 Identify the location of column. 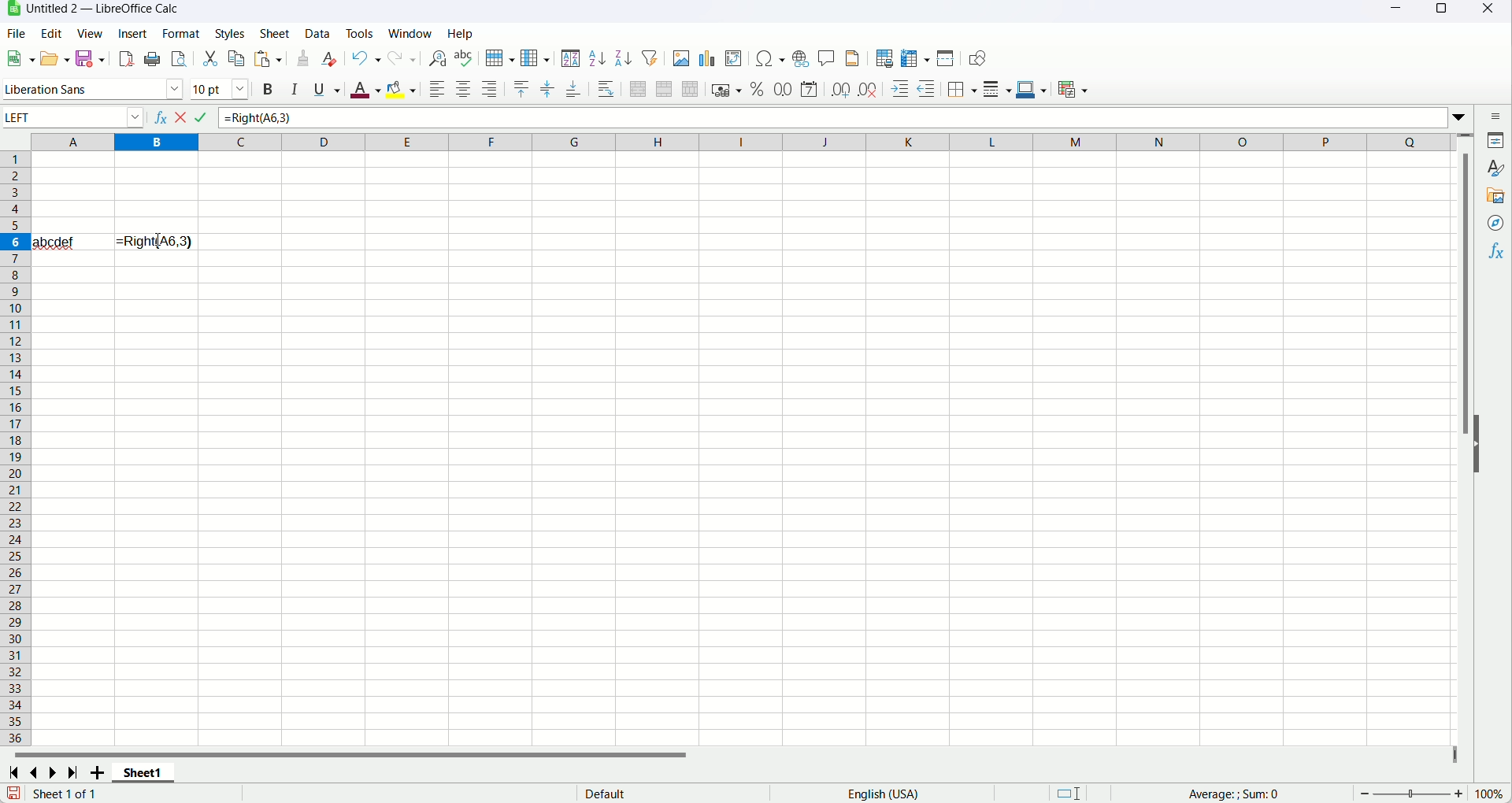
(741, 142).